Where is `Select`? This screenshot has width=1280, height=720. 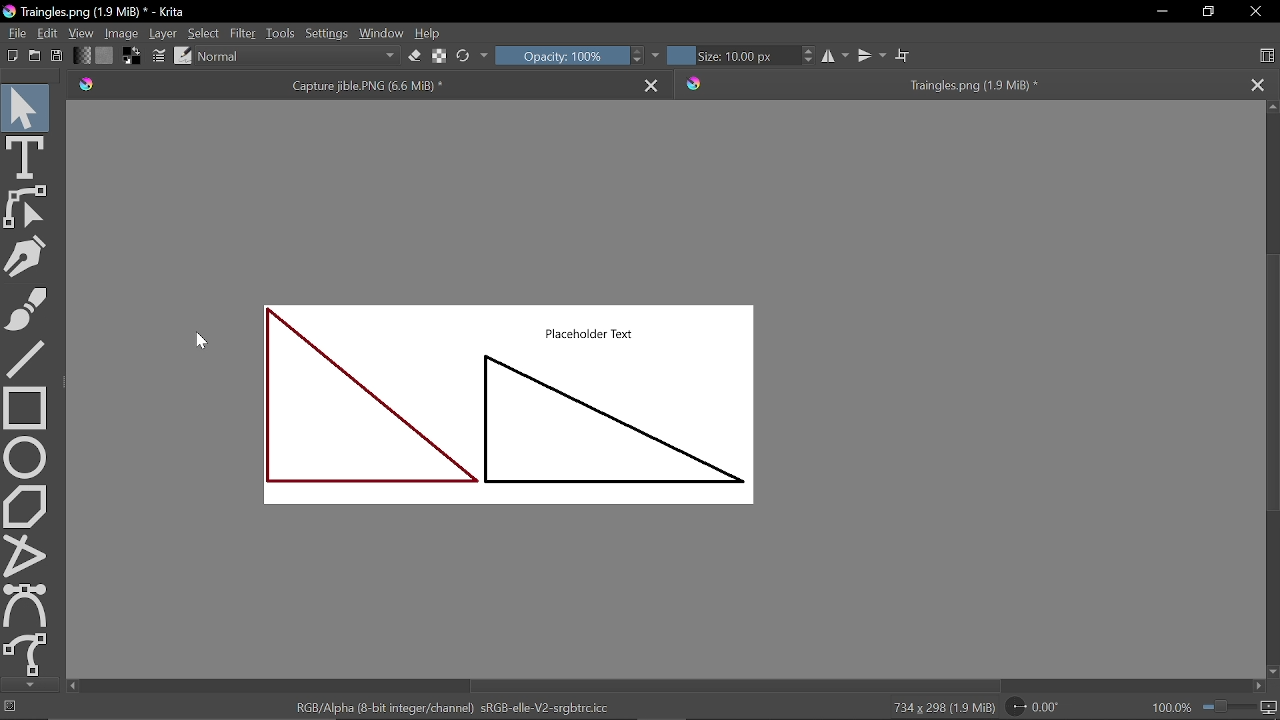
Select is located at coordinates (203, 33).